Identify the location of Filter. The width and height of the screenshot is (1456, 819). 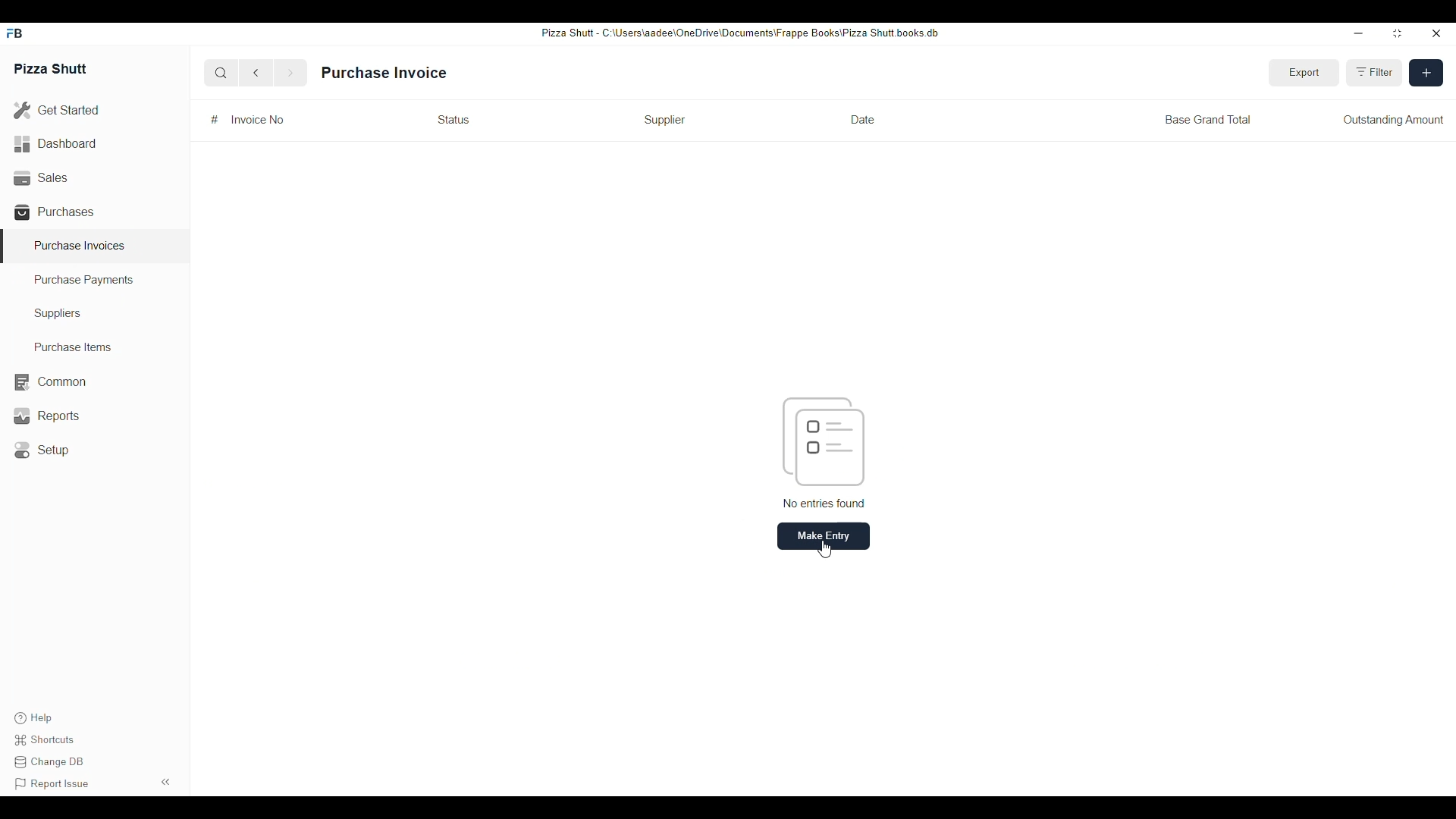
(1376, 73).